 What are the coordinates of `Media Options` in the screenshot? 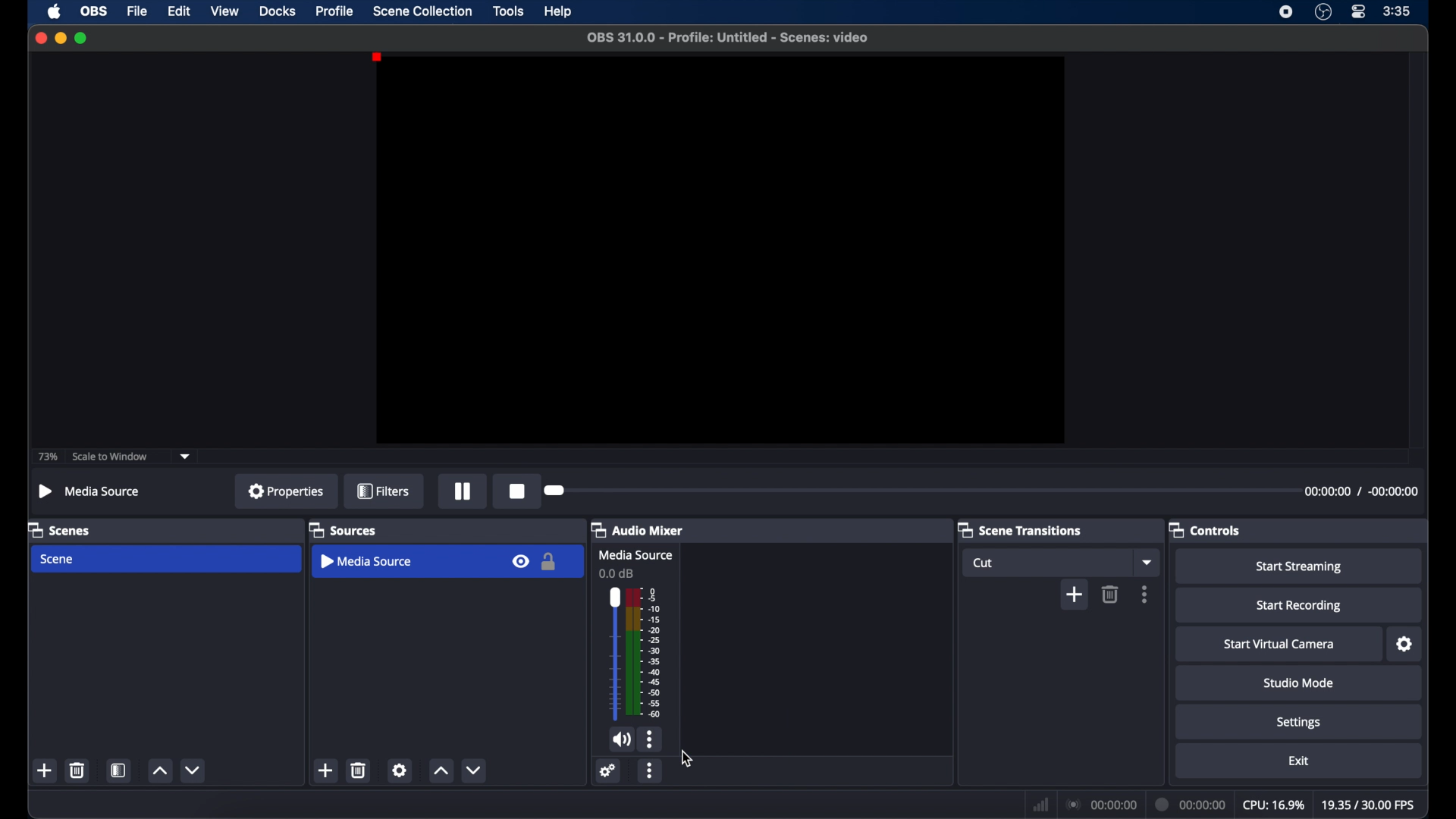 It's located at (648, 741).